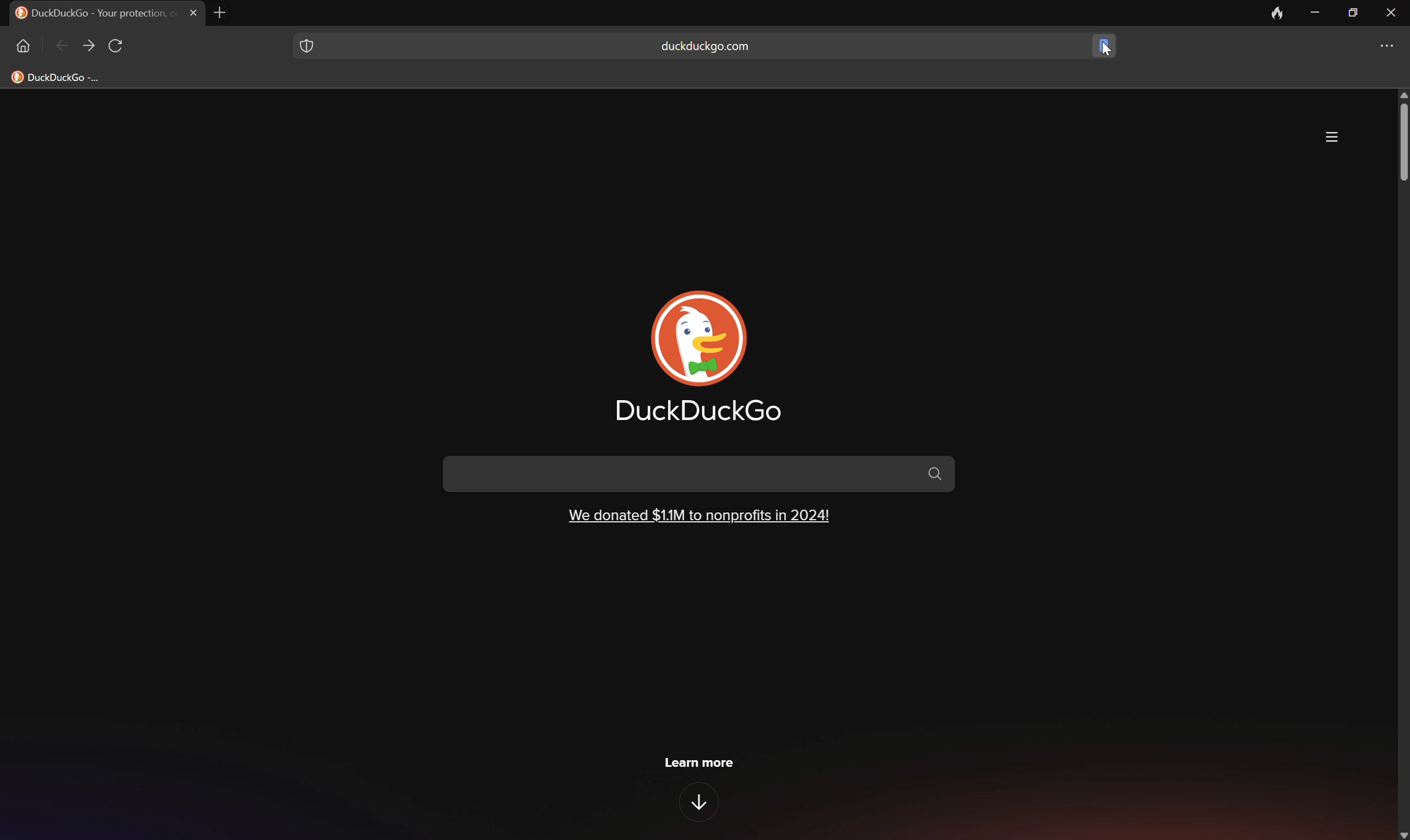 Image resolution: width=1410 pixels, height=840 pixels. What do you see at coordinates (1278, 12) in the screenshot?
I see `Leave no trace` at bounding box center [1278, 12].